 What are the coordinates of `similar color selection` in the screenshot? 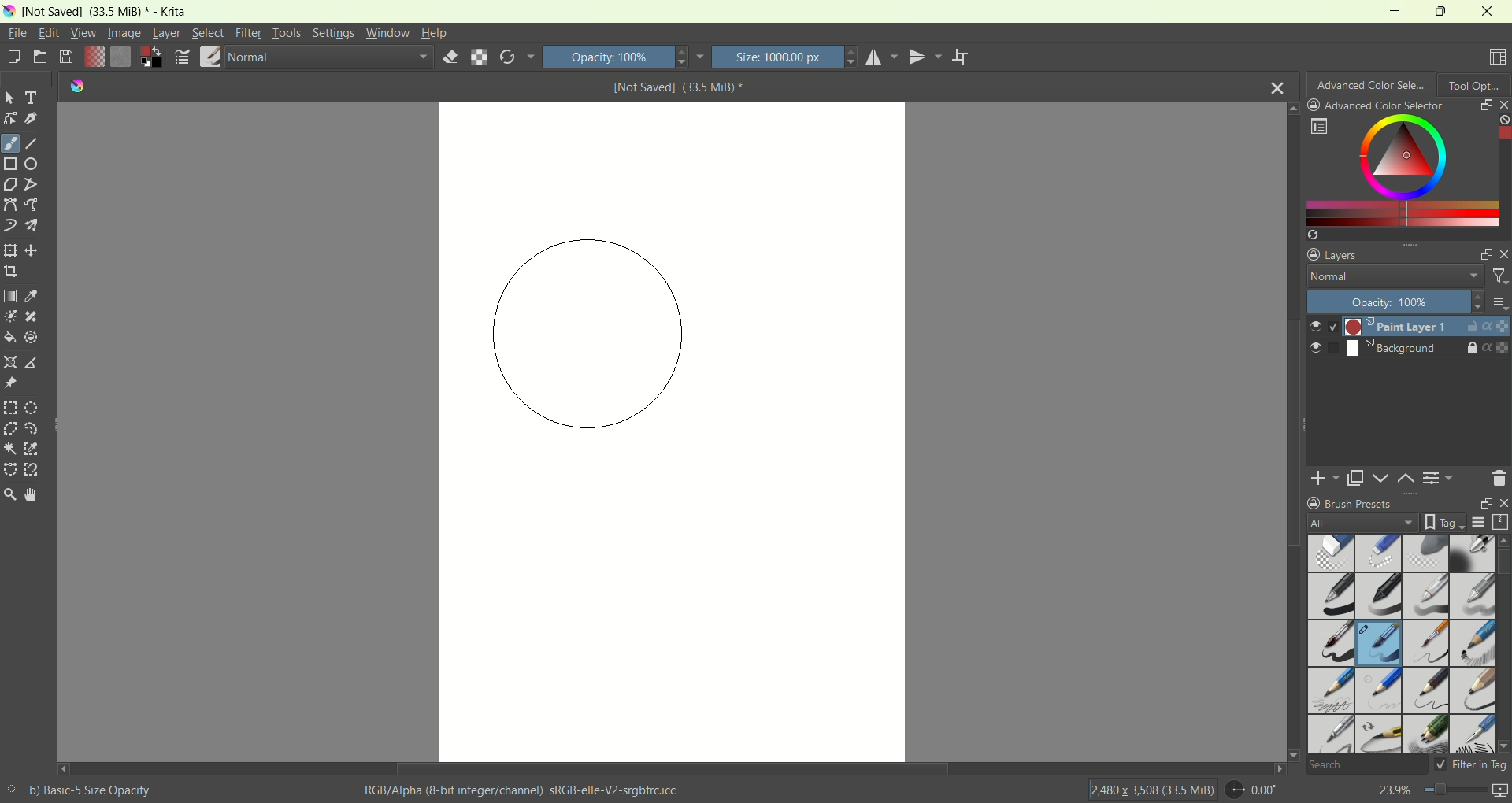 It's located at (31, 449).